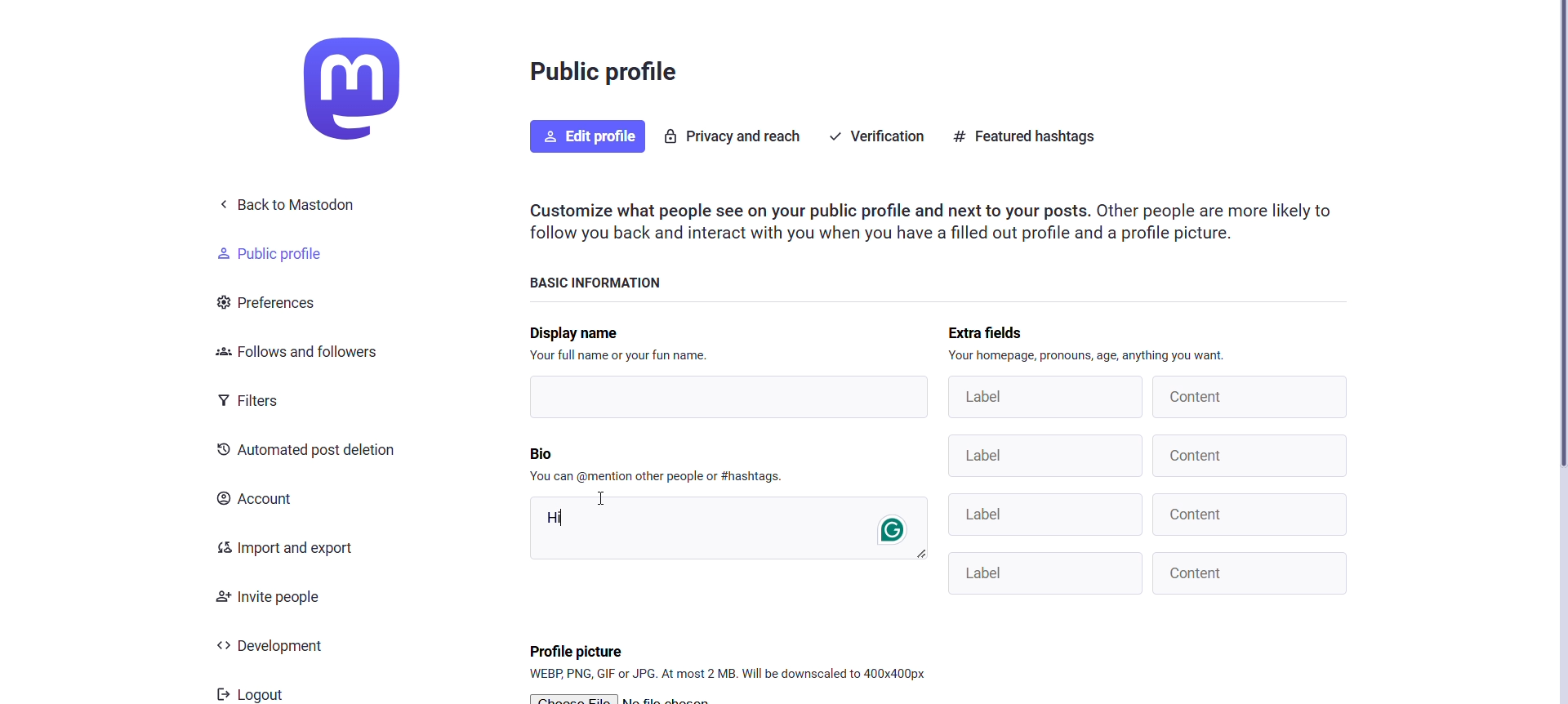 The height and width of the screenshot is (704, 1568). Describe the element at coordinates (938, 222) in the screenshot. I see `Customize what people see on your public profile and next to your posts. Other people are more likely to
follow you back and interact with you when you have a filled out profile and a profile picture.` at that location.